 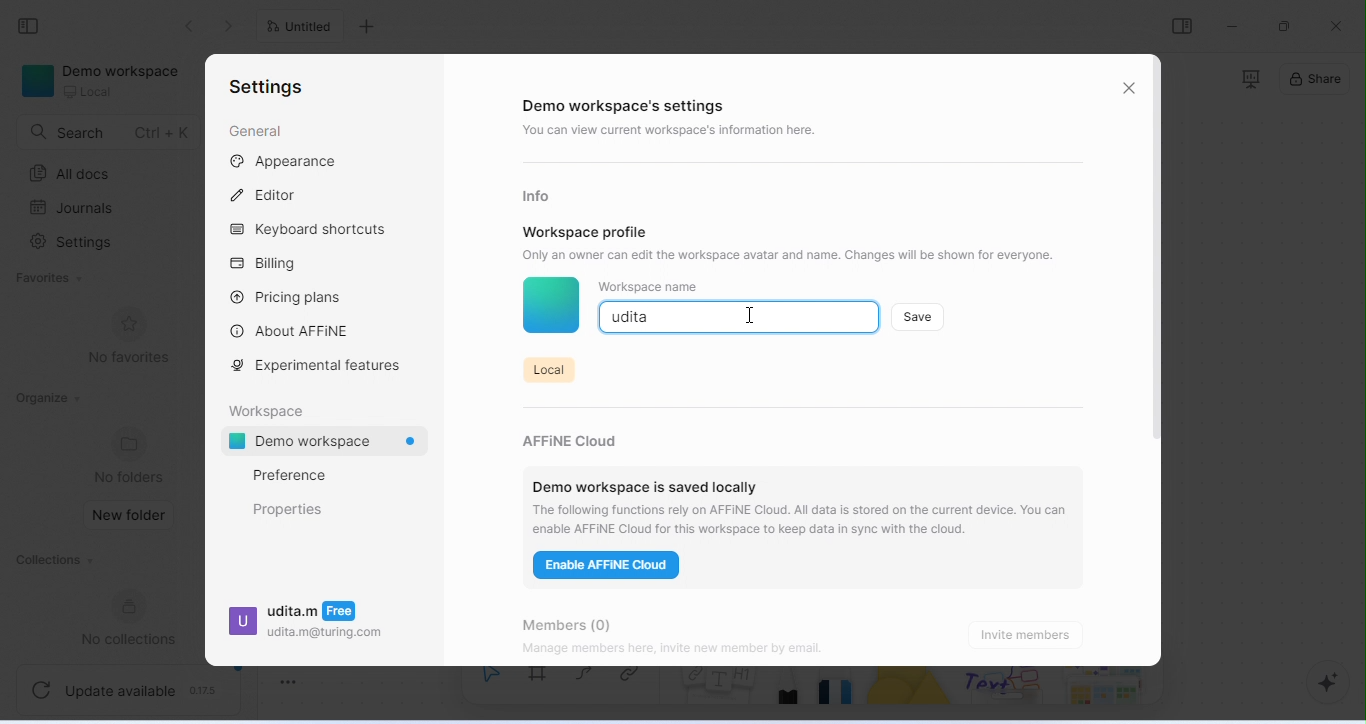 I want to click on workspace profile, so click(x=586, y=231).